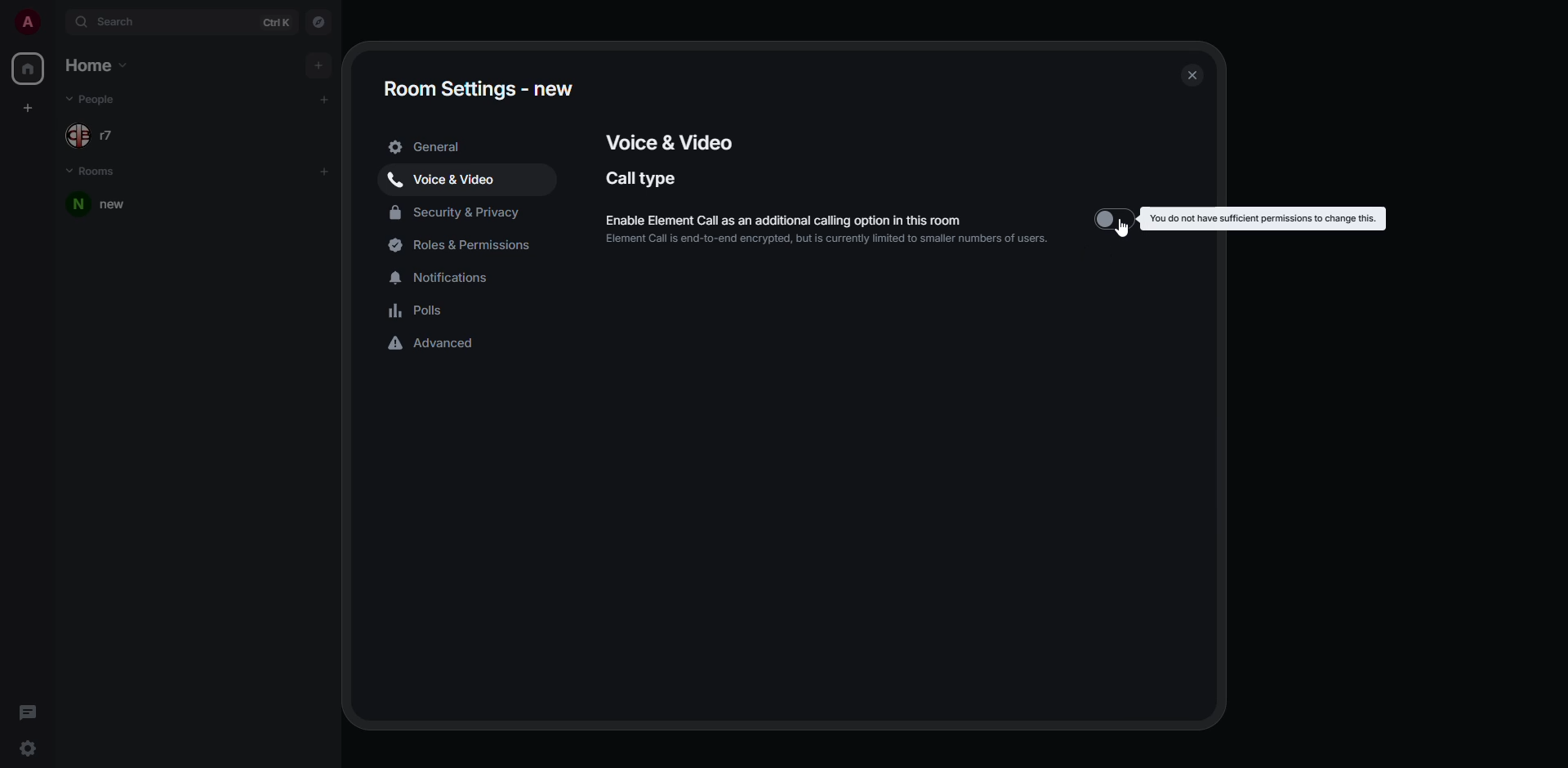 This screenshot has height=768, width=1568. I want to click on people, so click(91, 100).